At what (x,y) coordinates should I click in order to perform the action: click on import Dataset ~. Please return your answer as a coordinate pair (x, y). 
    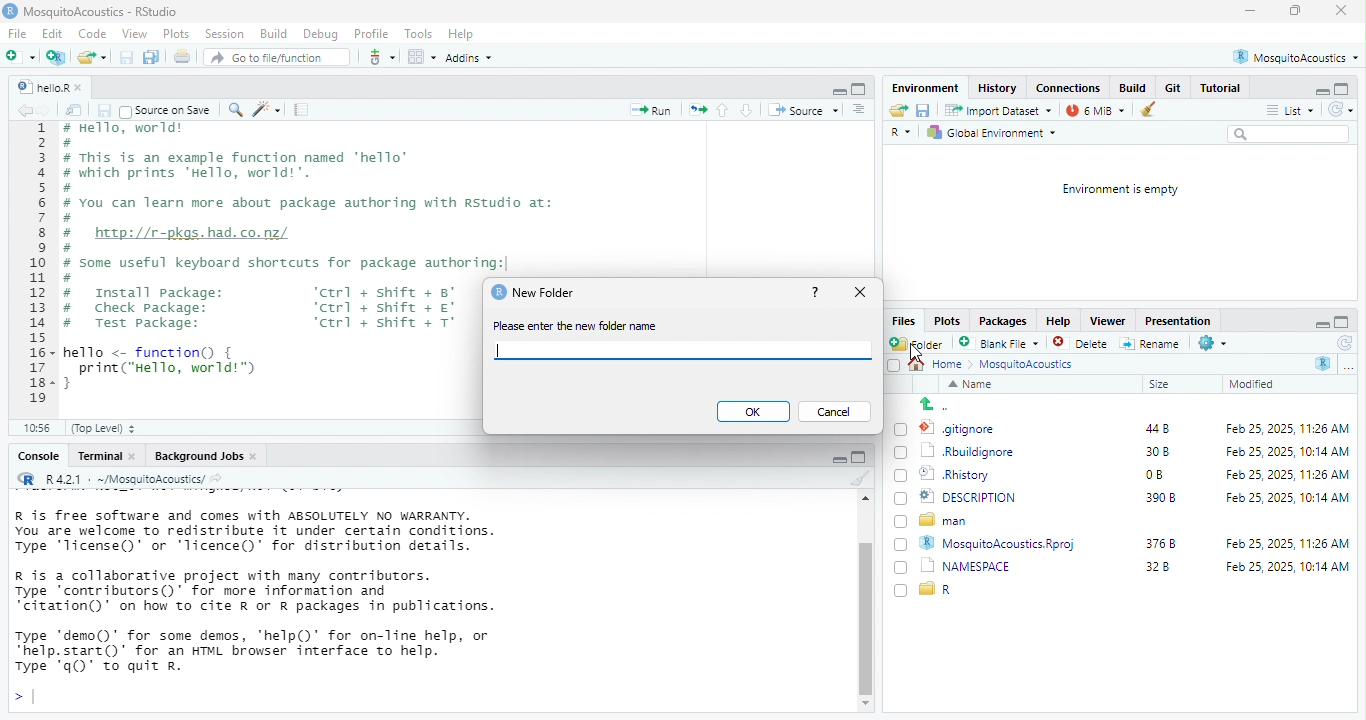
    Looking at the image, I should click on (1002, 110).